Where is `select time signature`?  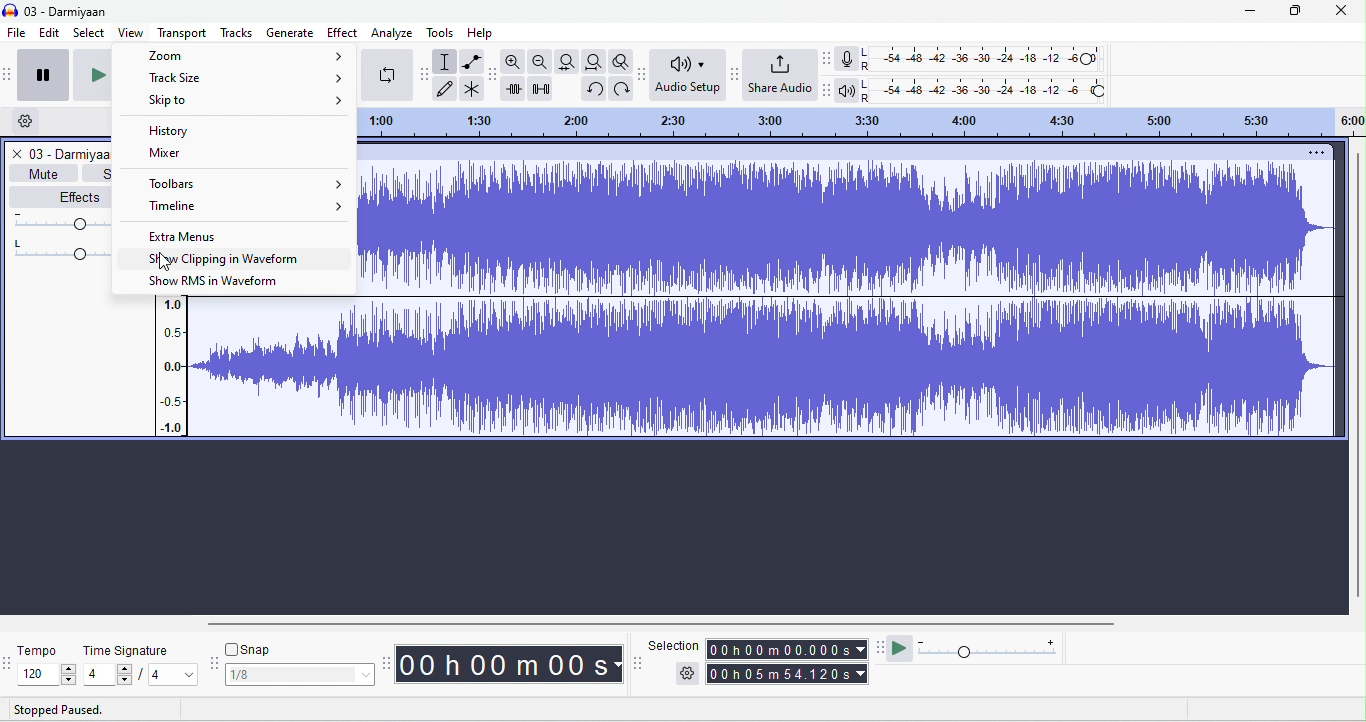 select time signature is located at coordinates (141, 676).